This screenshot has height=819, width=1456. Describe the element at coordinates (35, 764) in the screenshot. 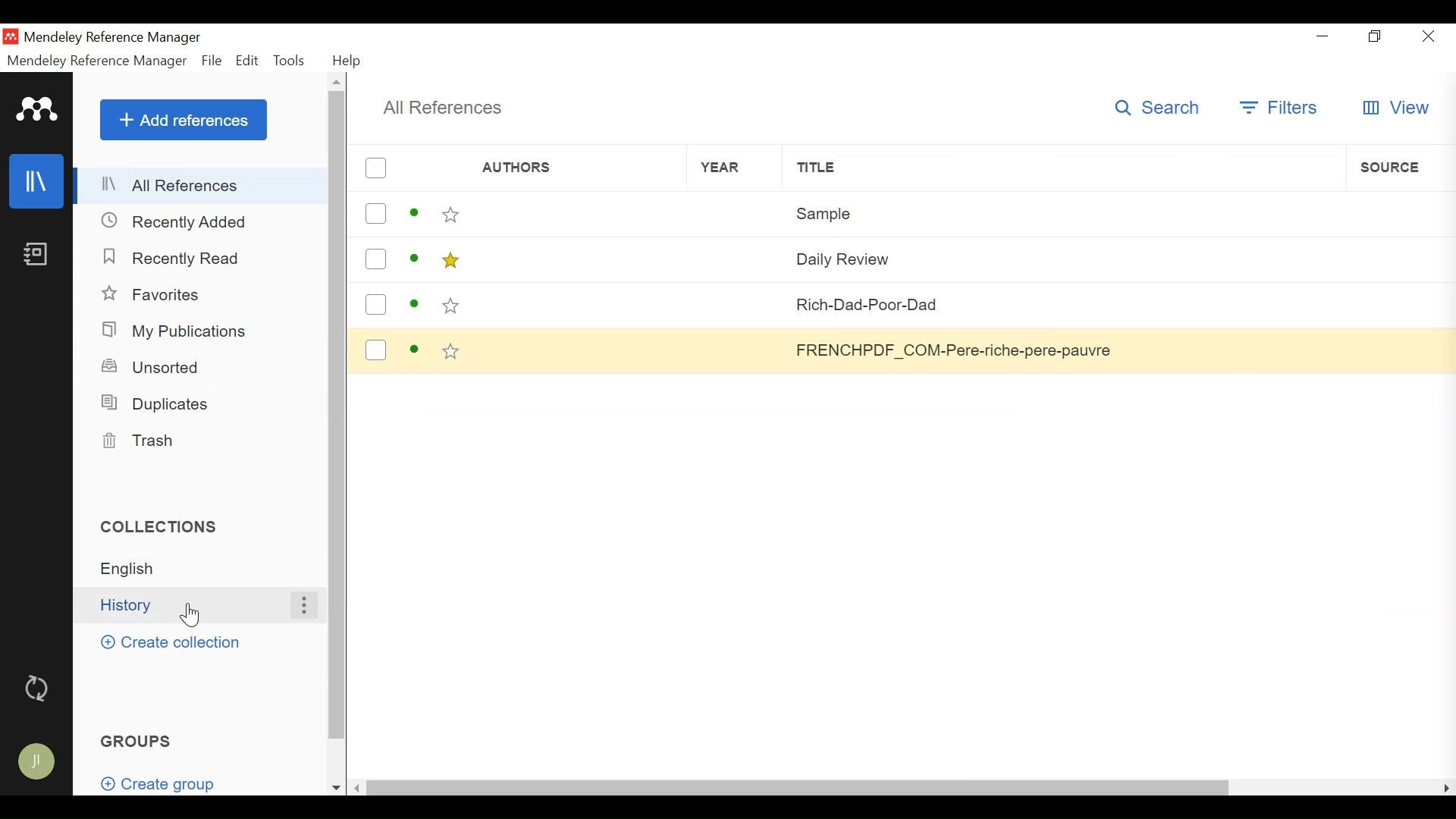

I see `Avatar` at that location.